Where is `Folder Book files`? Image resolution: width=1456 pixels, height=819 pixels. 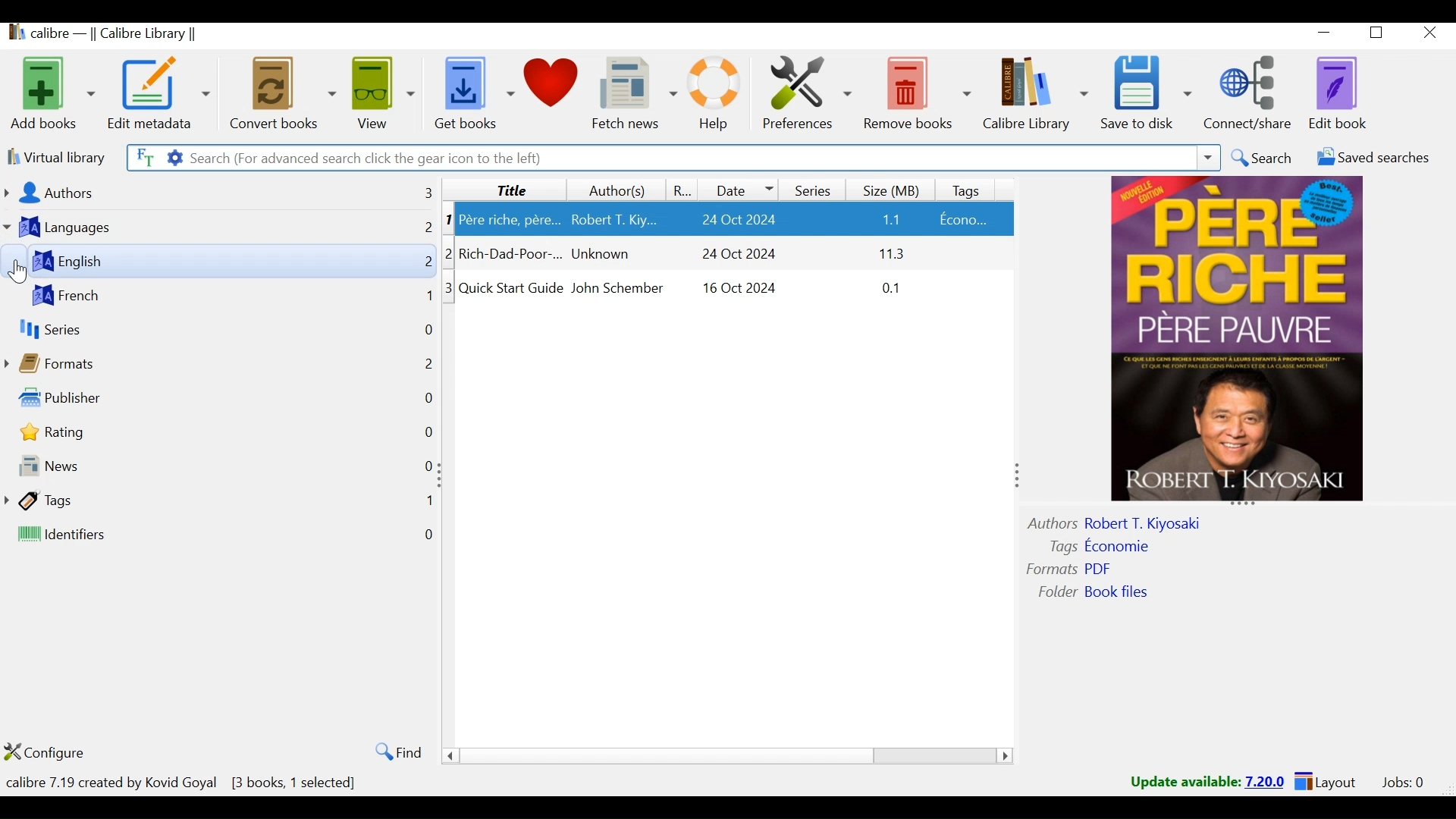 Folder Book files is located at coordinates (1100, 592).